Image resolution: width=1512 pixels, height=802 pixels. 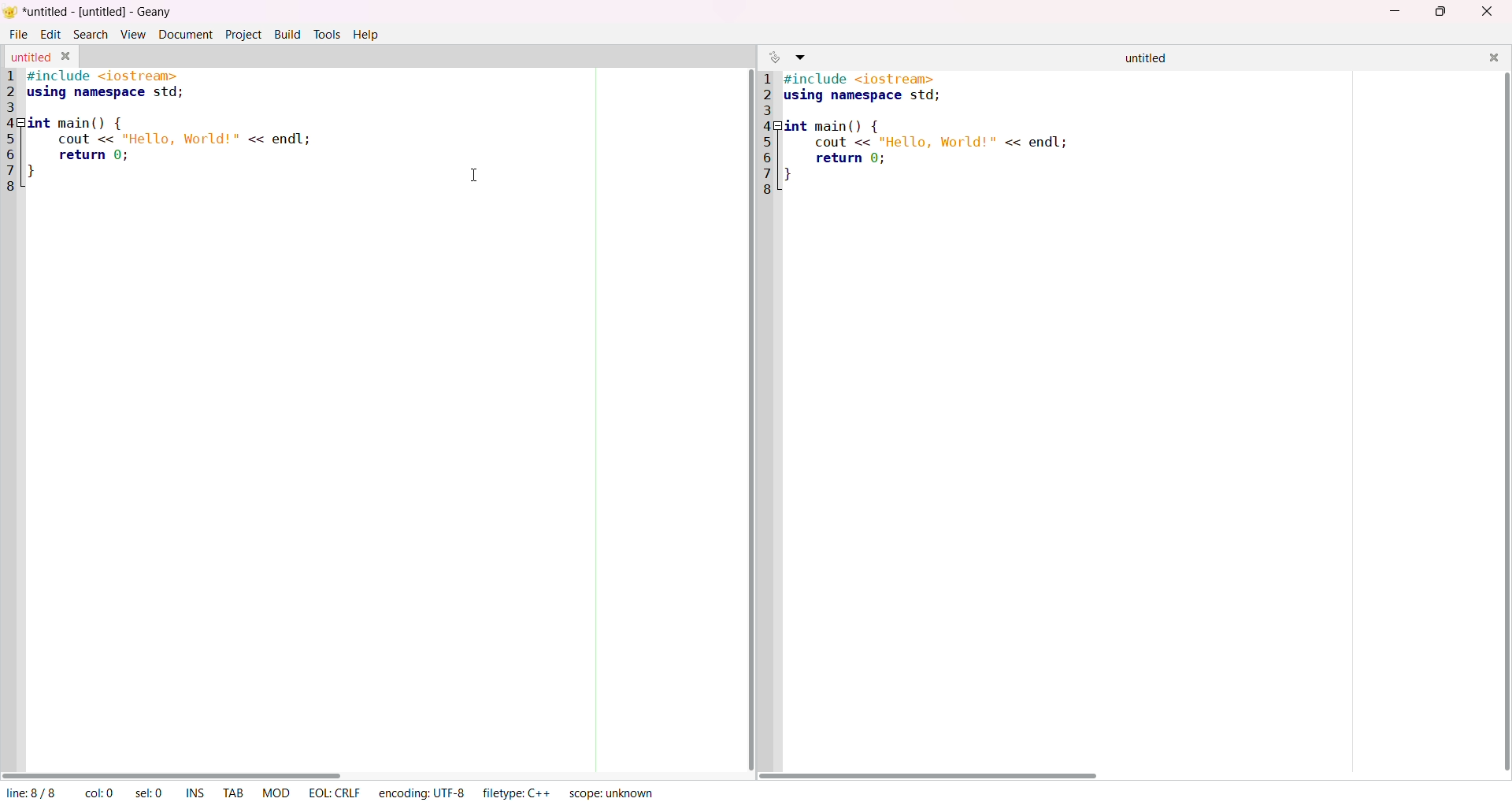 I want to click on INS, so click(x=195, y=793).